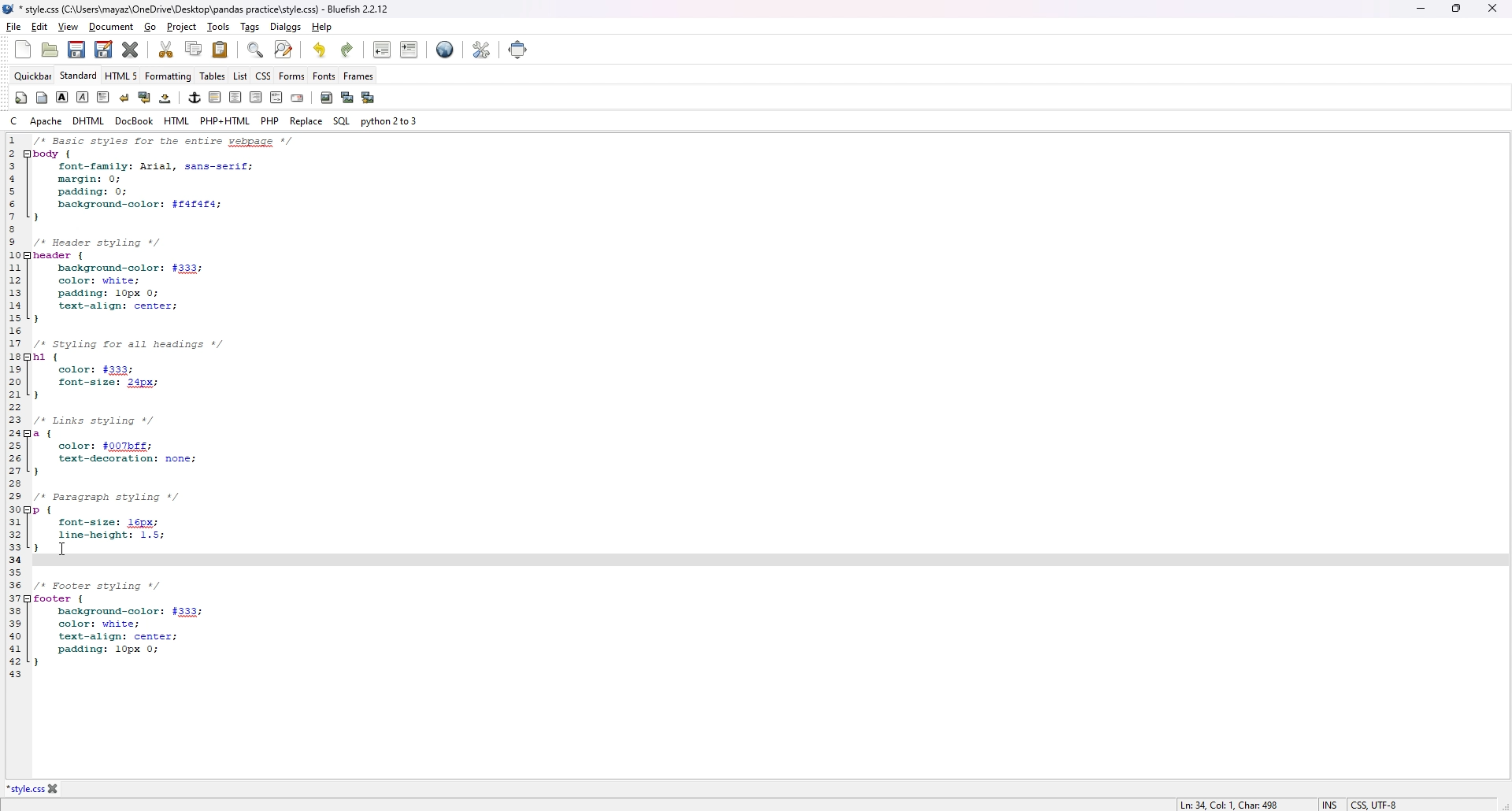 This screenshot has width=1512, height=811. Describe the element at coordinates (341, 120) in the screenshot. I see `sql` at that location.